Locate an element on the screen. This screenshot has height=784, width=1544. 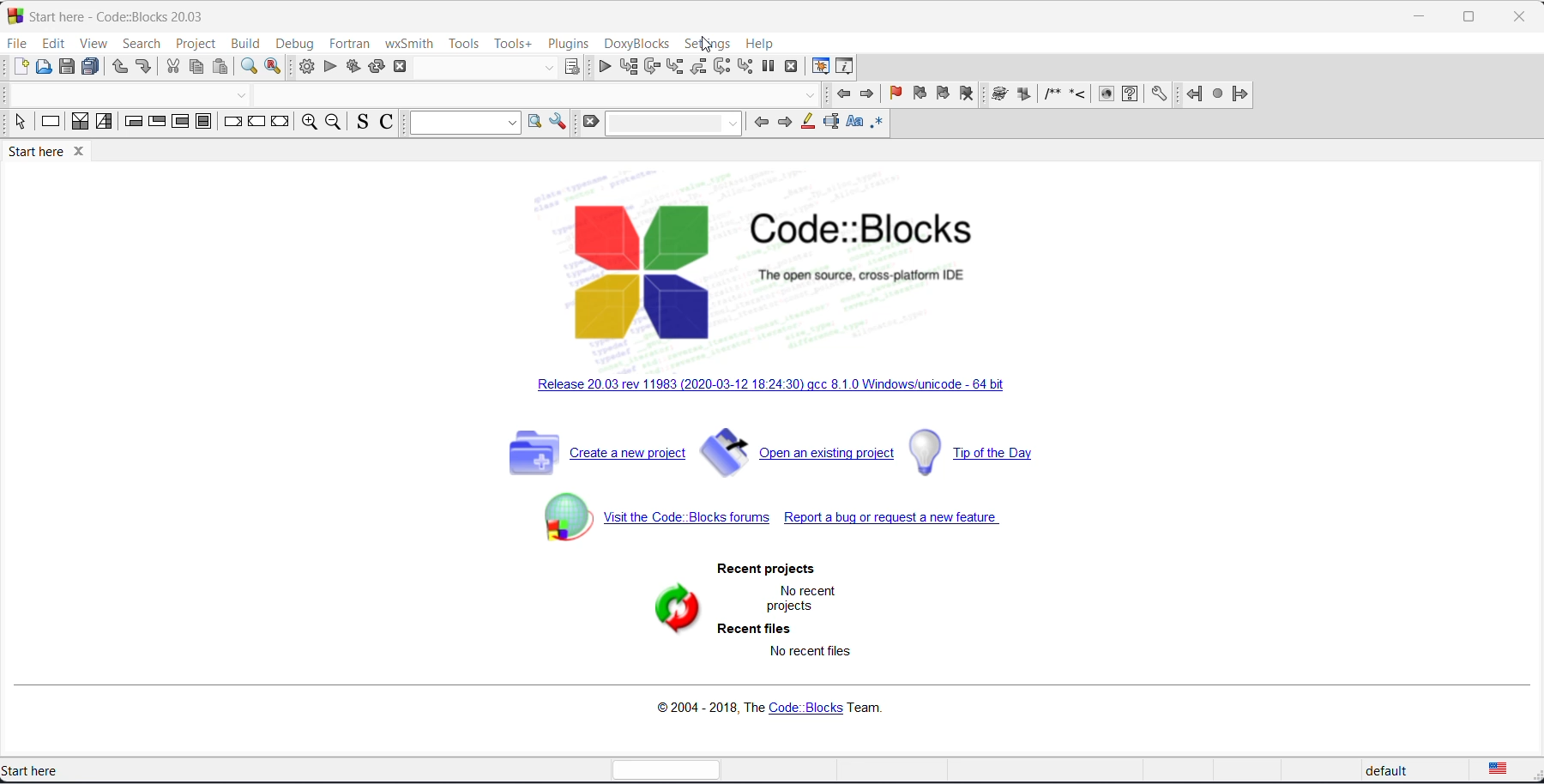
close is located at coordinates (80, 152).